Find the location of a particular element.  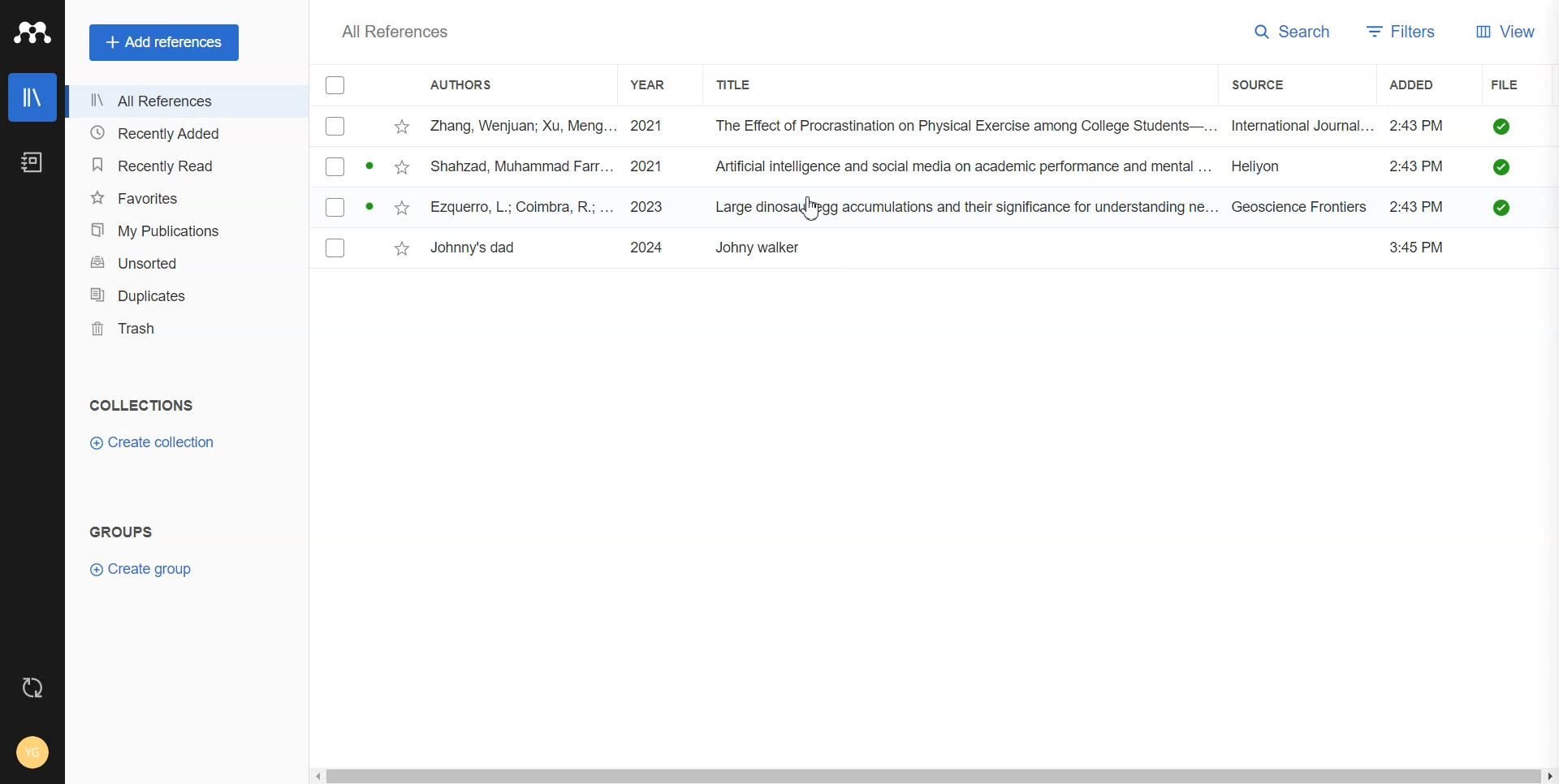

Recently Read is located at coordinates (179, 162).